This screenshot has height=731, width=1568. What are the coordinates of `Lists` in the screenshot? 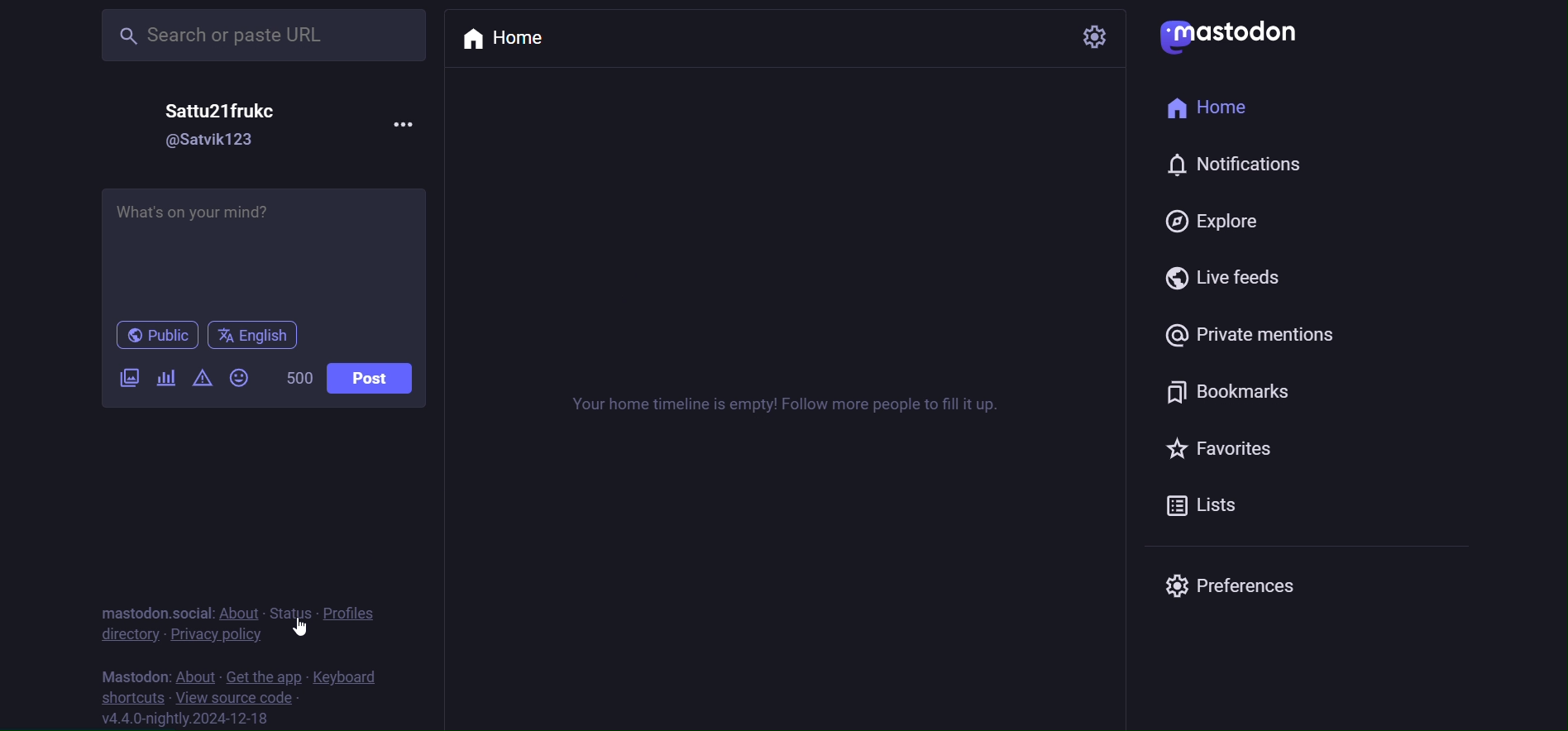 It's located at (1202, 509).